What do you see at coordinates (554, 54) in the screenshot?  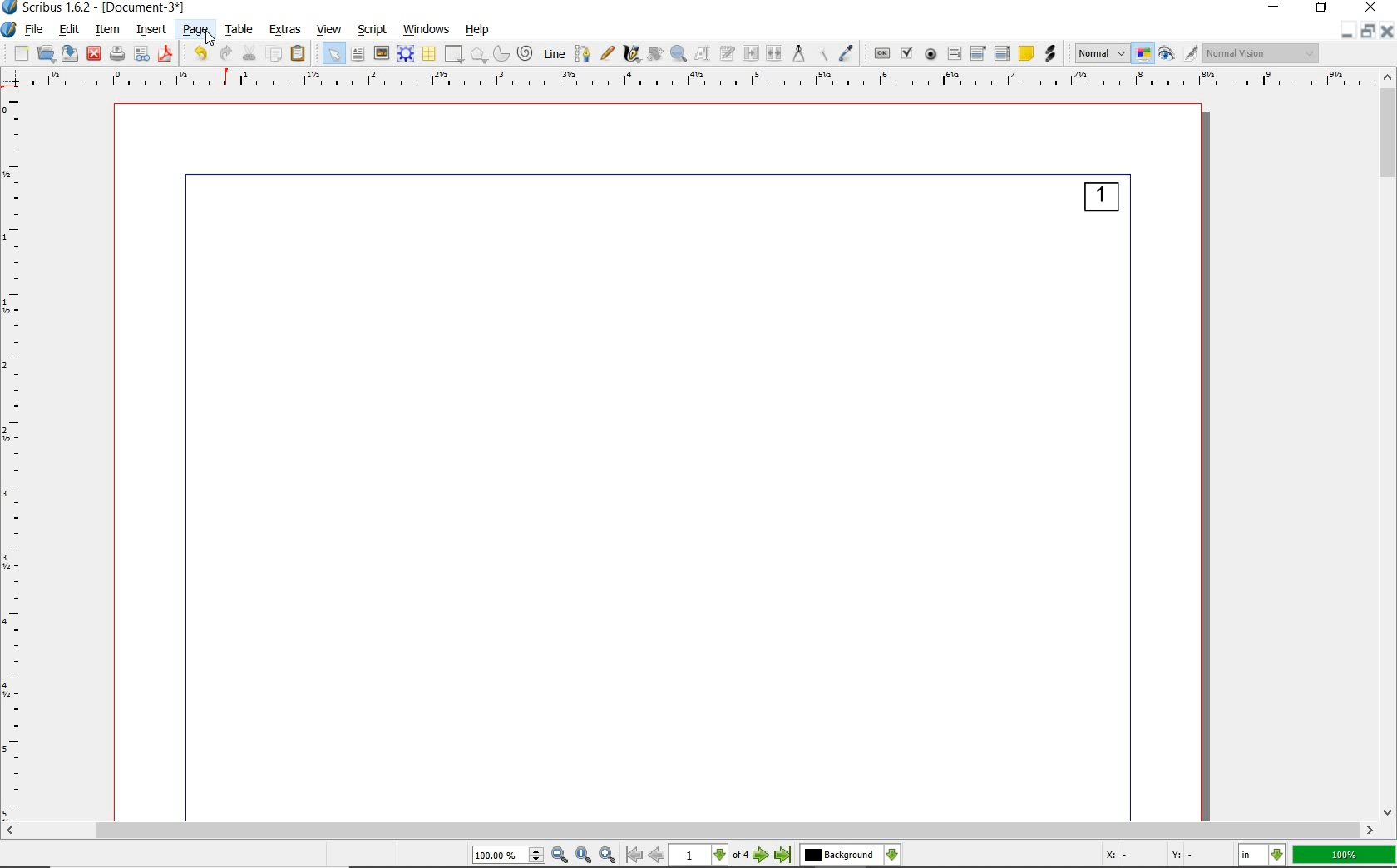 I see `line` at bounding box center [554, 54].